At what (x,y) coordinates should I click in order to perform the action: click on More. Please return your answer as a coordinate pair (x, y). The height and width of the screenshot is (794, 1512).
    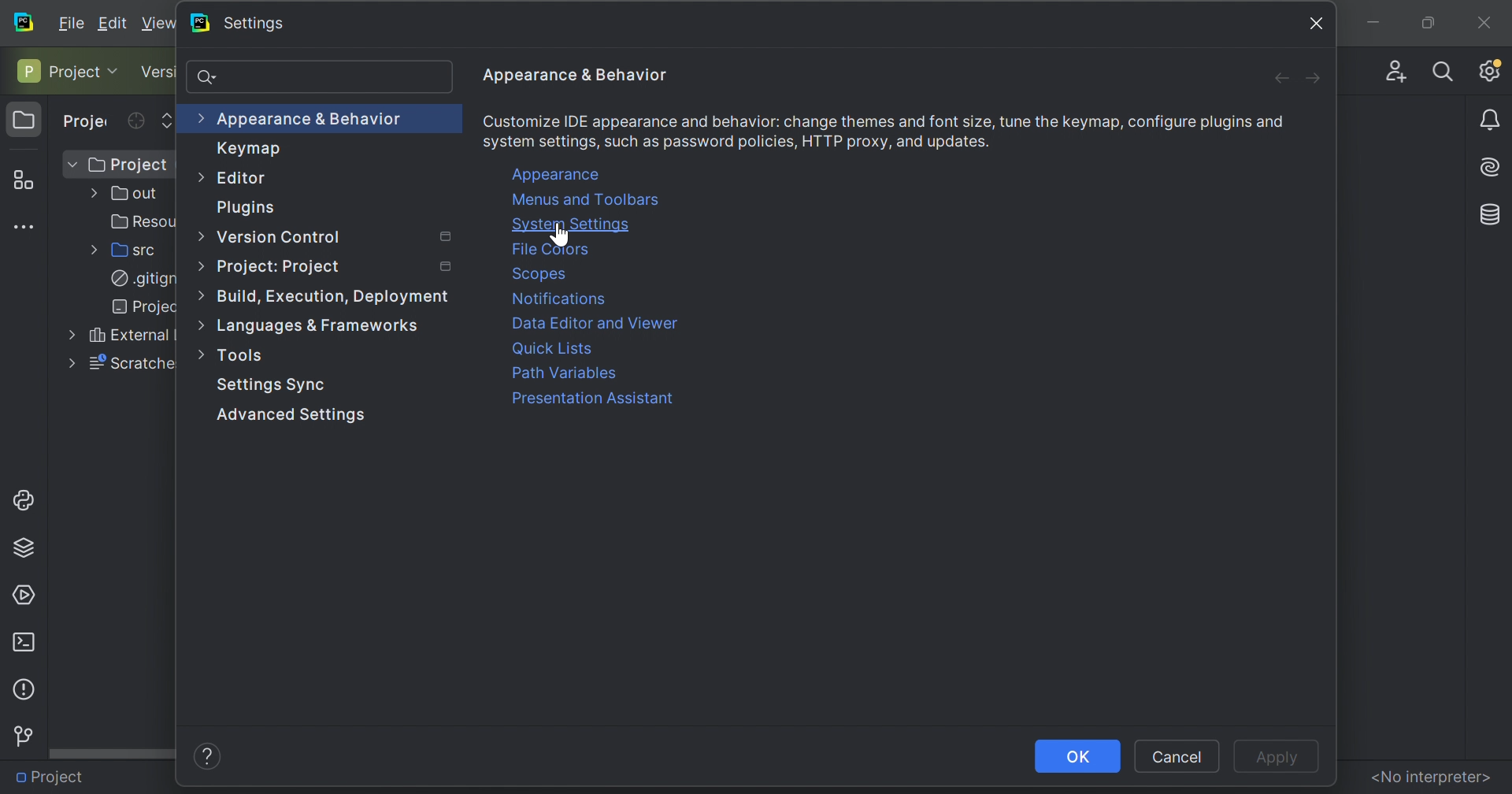
    Looking at the image, I should click on (197, 295).